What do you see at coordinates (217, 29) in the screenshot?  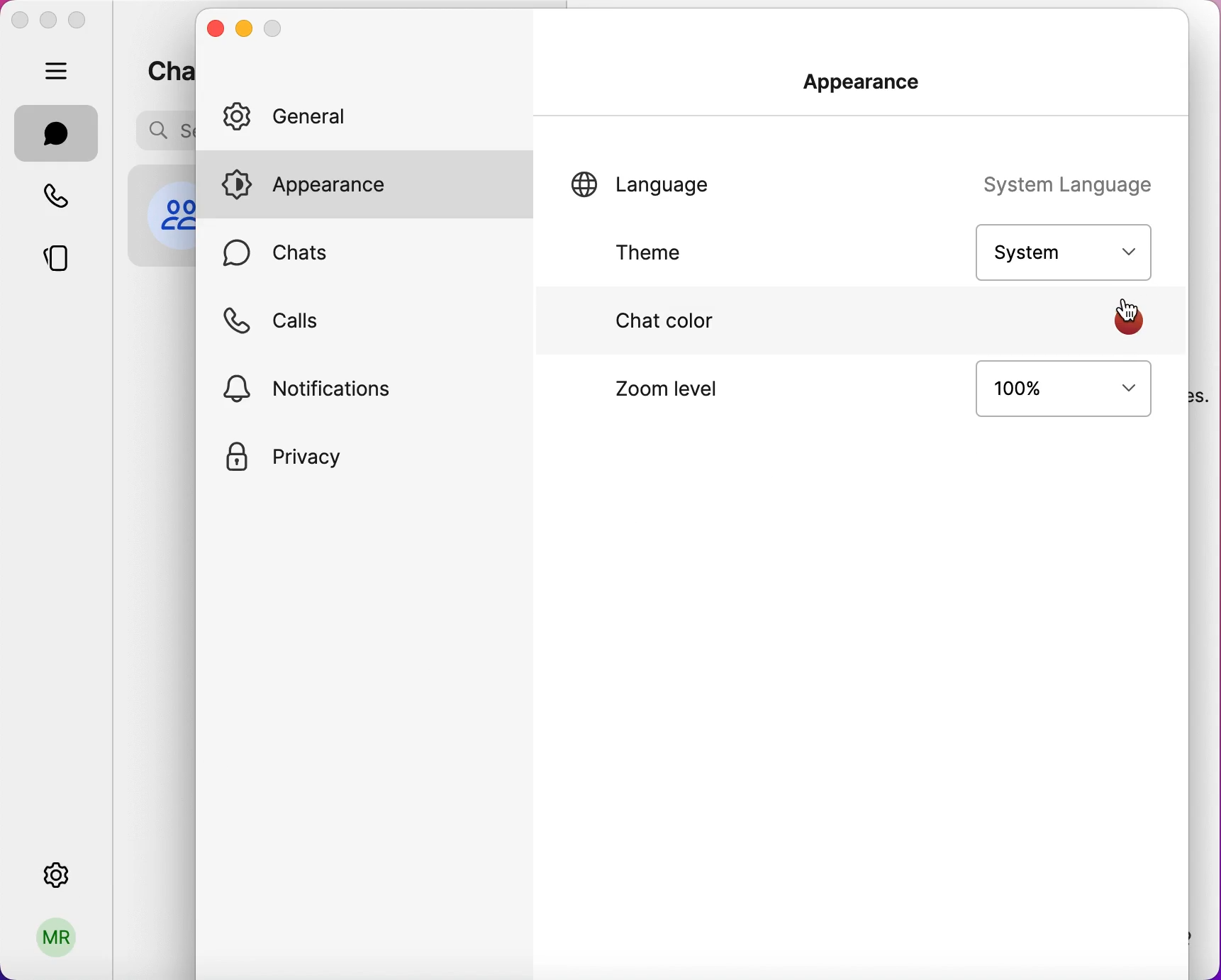 I see `close` at bounding box center [217, 29].